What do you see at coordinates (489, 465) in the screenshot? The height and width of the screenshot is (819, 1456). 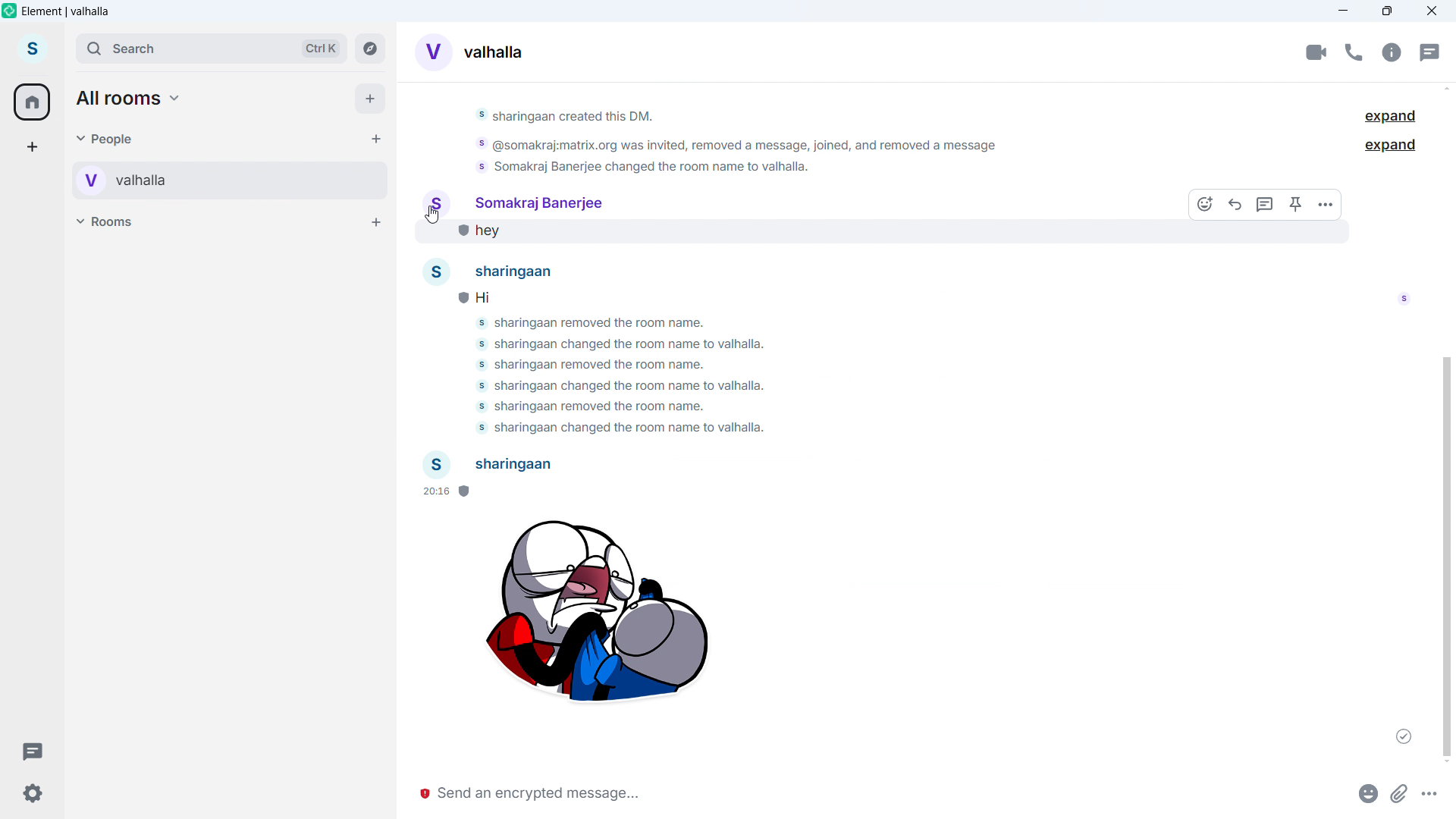 I see `sharingaan` at bounding box center [489, 465].